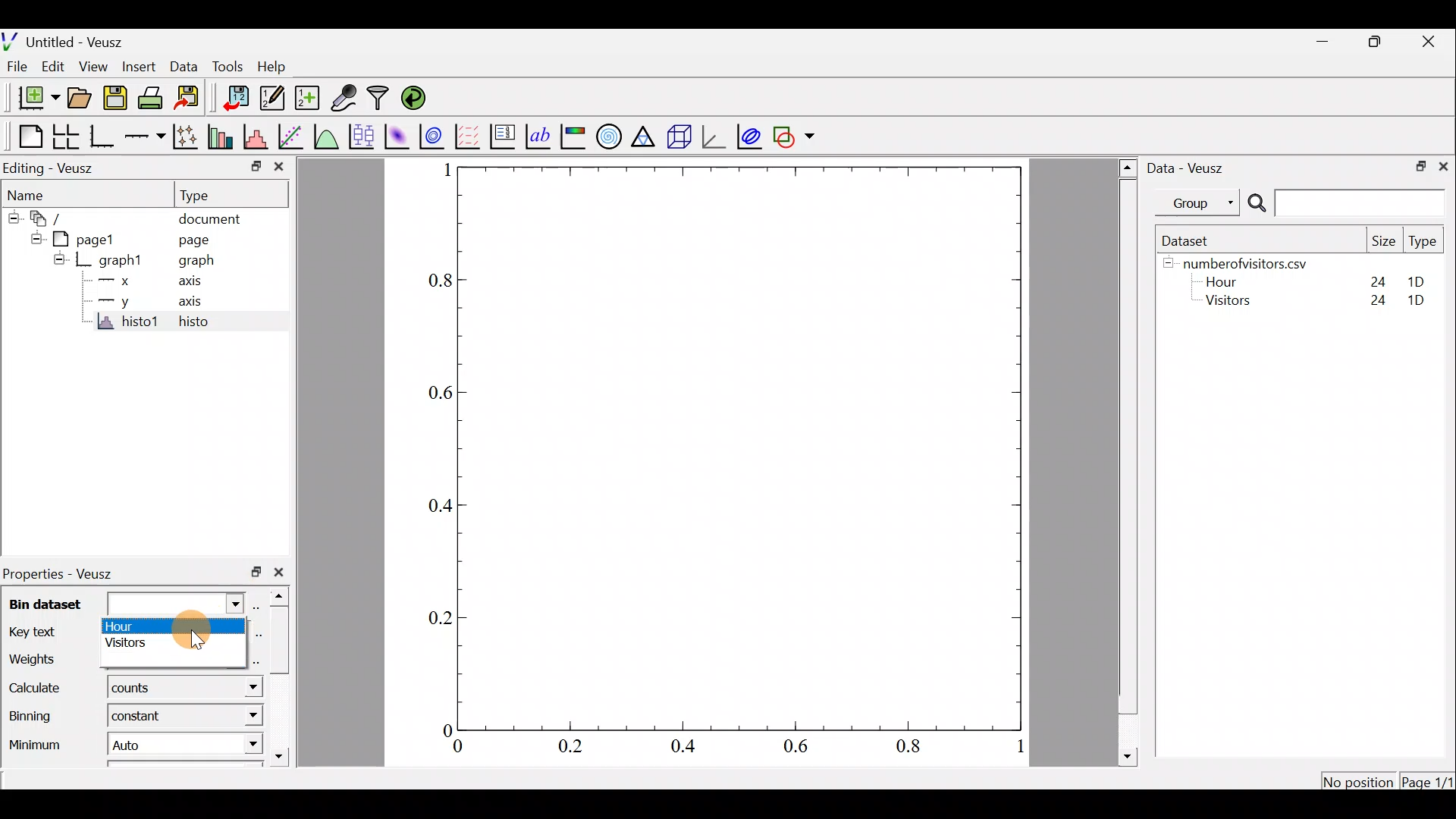  I want to click on 0.8, so click(904, 748).